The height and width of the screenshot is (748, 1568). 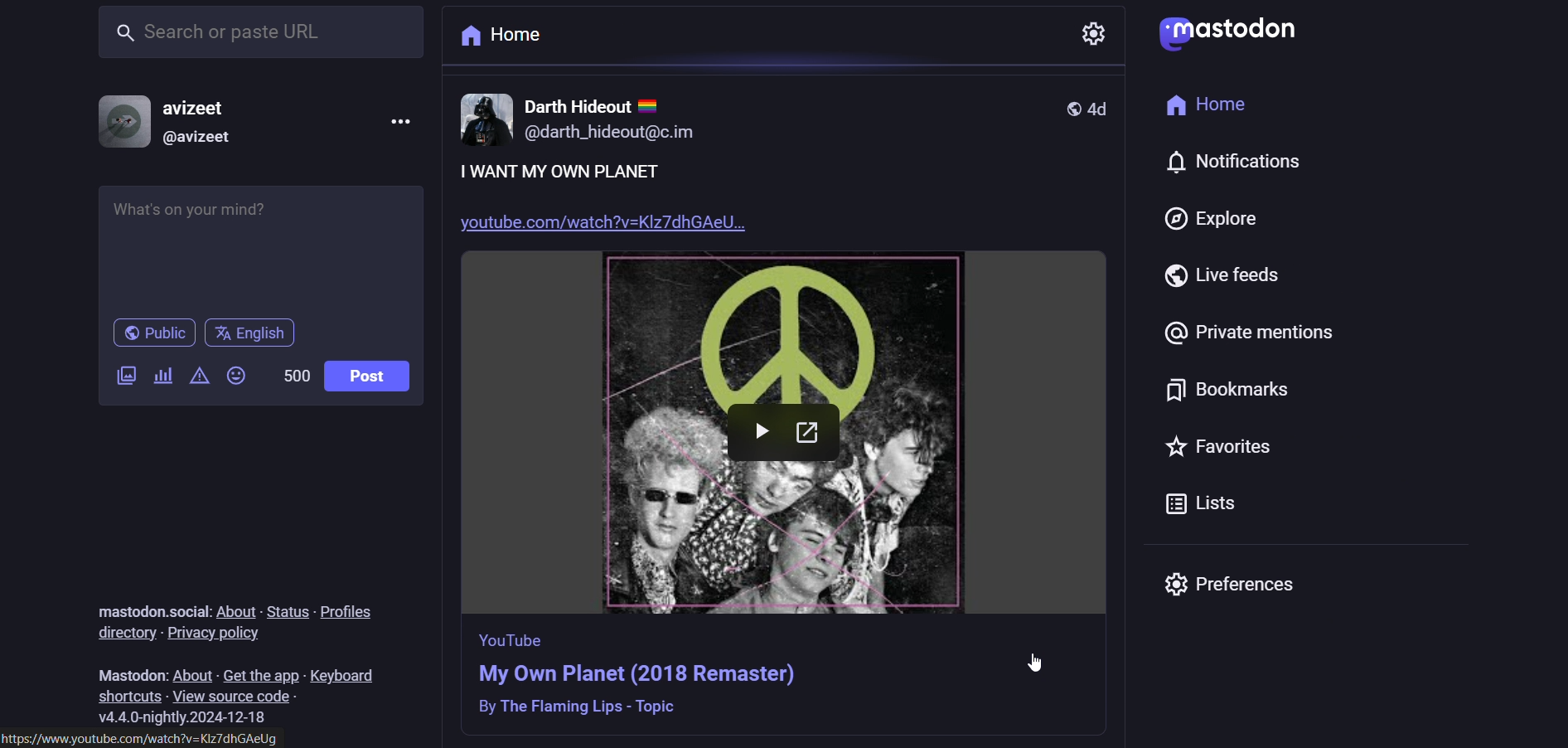 What do you see at coordinates (123, 633) in the screenshot?
I see `directory` at bounding box center [123, 633].